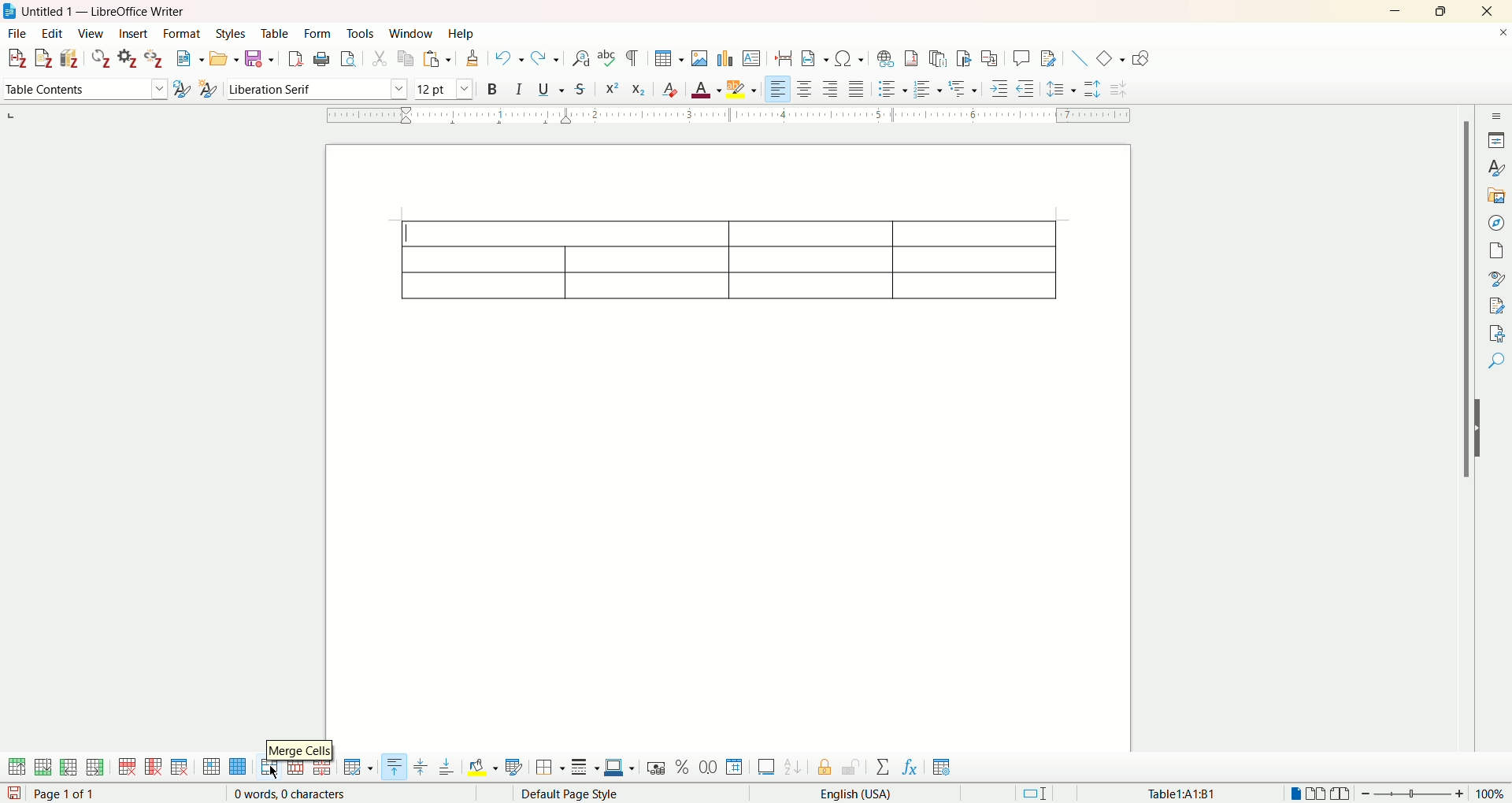  What do you see at coordinates (728, 118) in the screenshot?
I see `ruler bar` at bounding box center [728, 118].